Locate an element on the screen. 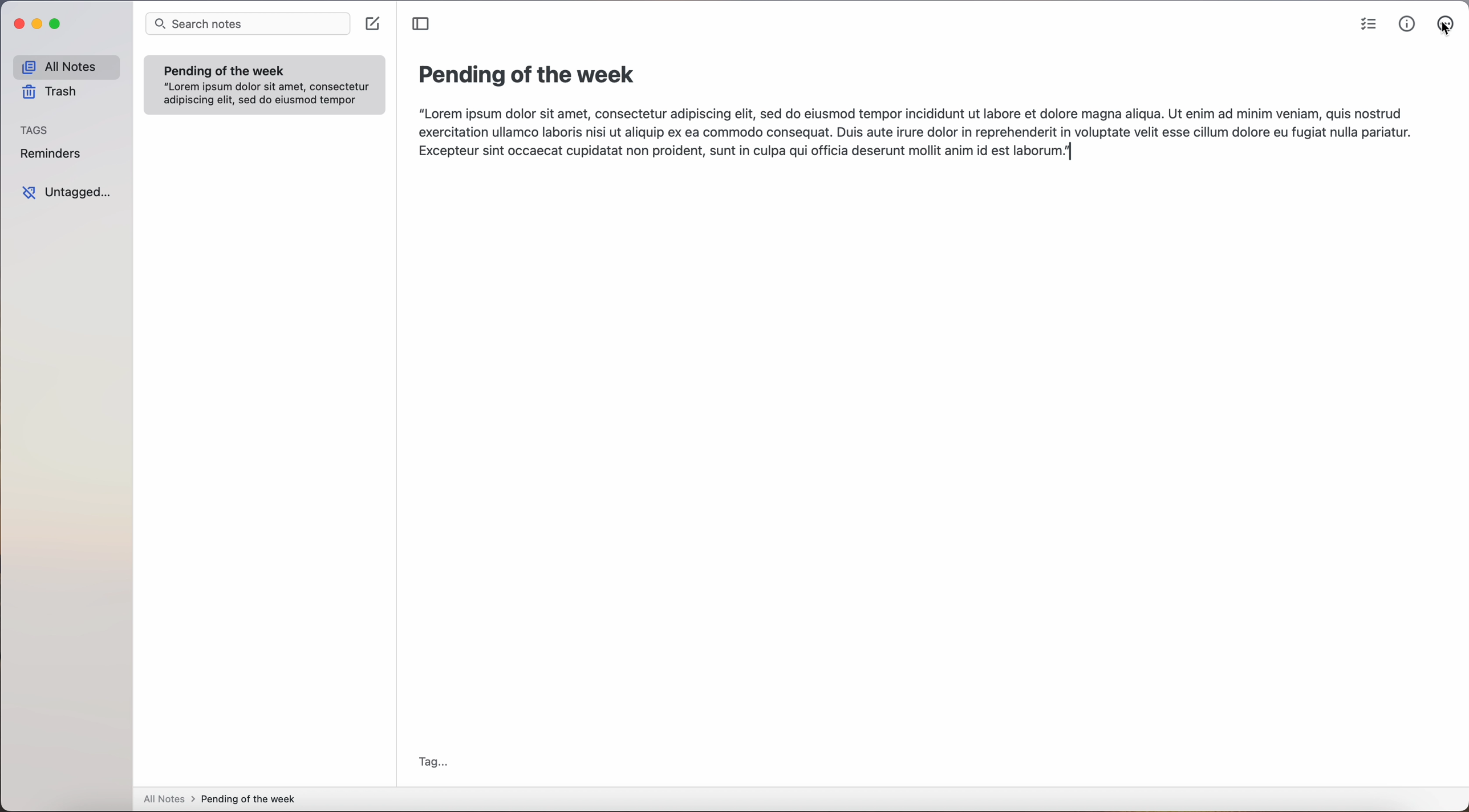  all notes is located at coordinates (66, 66).